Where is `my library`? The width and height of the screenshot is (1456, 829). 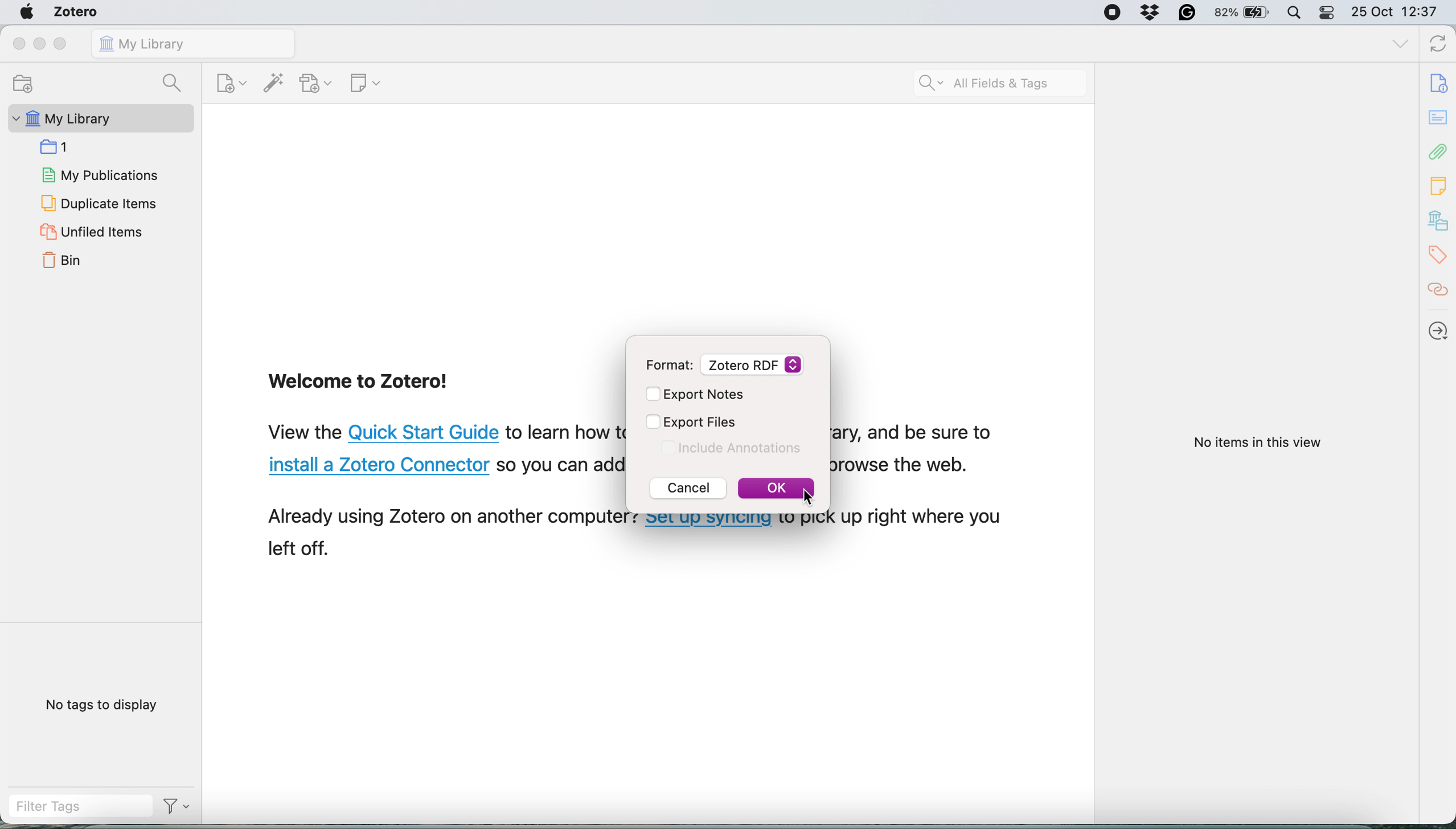
my library is located at coordinates (63, 119).